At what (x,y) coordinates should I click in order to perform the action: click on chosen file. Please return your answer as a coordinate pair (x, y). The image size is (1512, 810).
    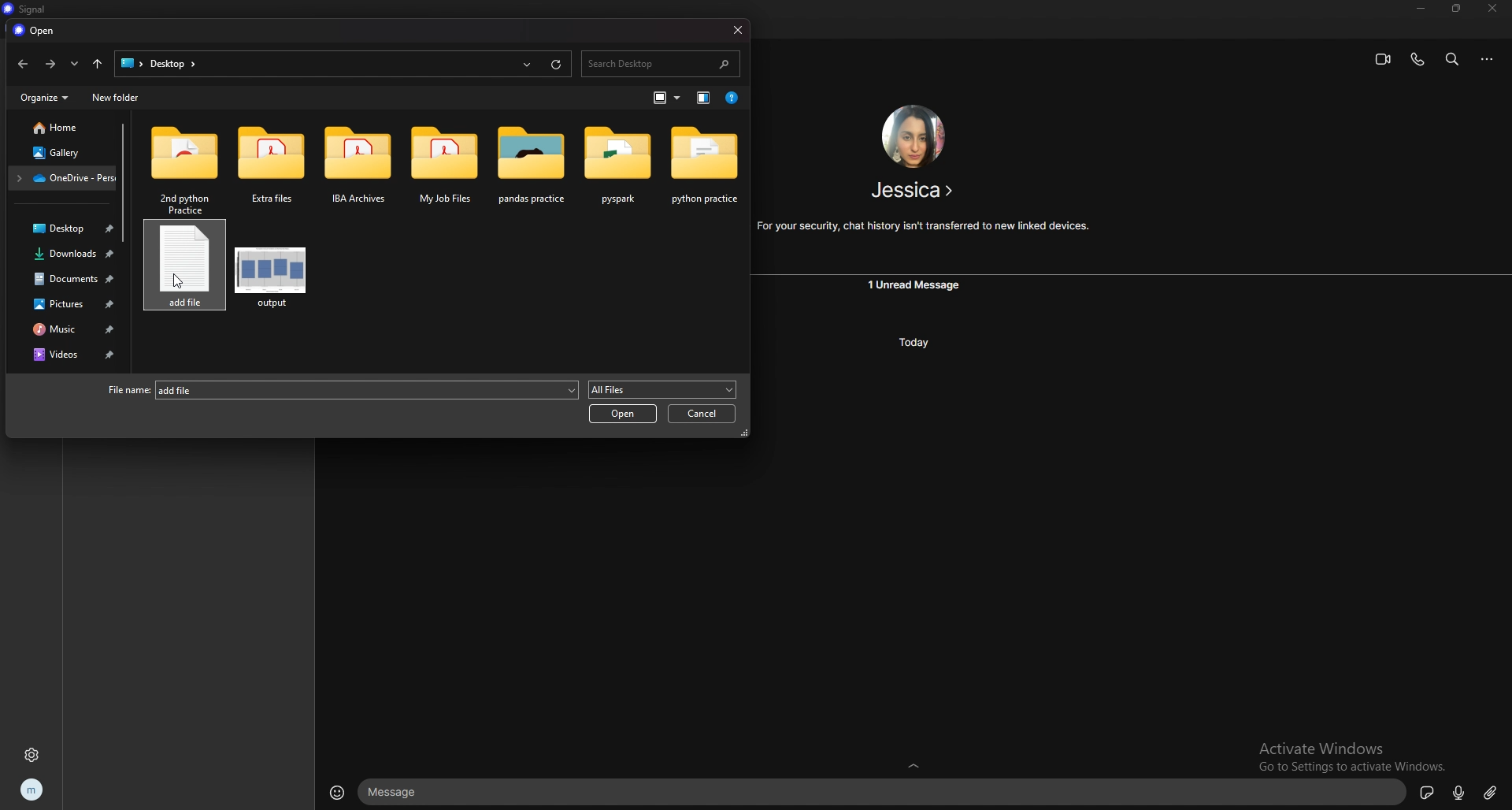
    Looking at the image, I should click on (185, 267).